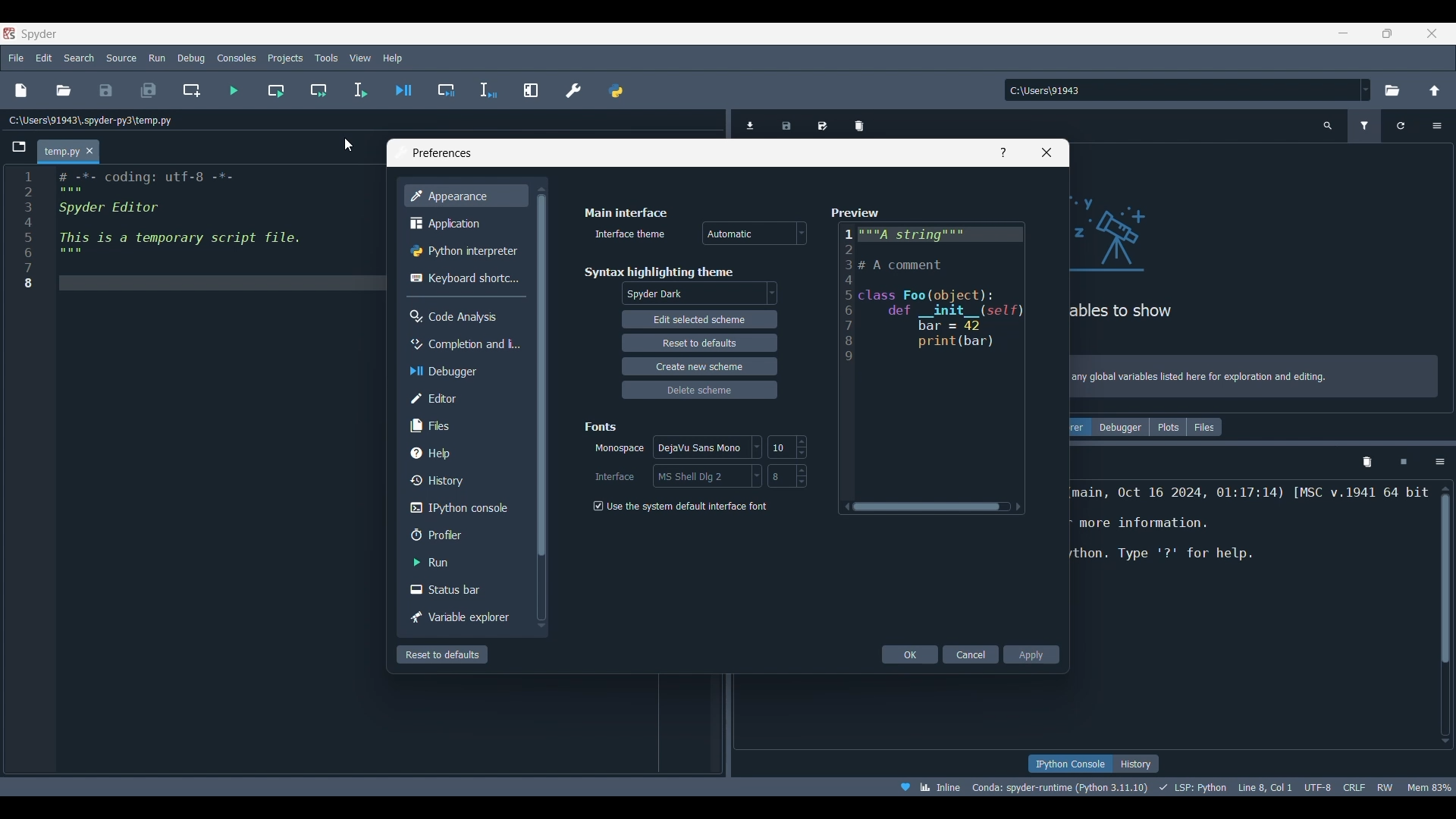 The height and width of the screenshot is (819, 1456). I want to click on Variable explorer, so click(459, 616).